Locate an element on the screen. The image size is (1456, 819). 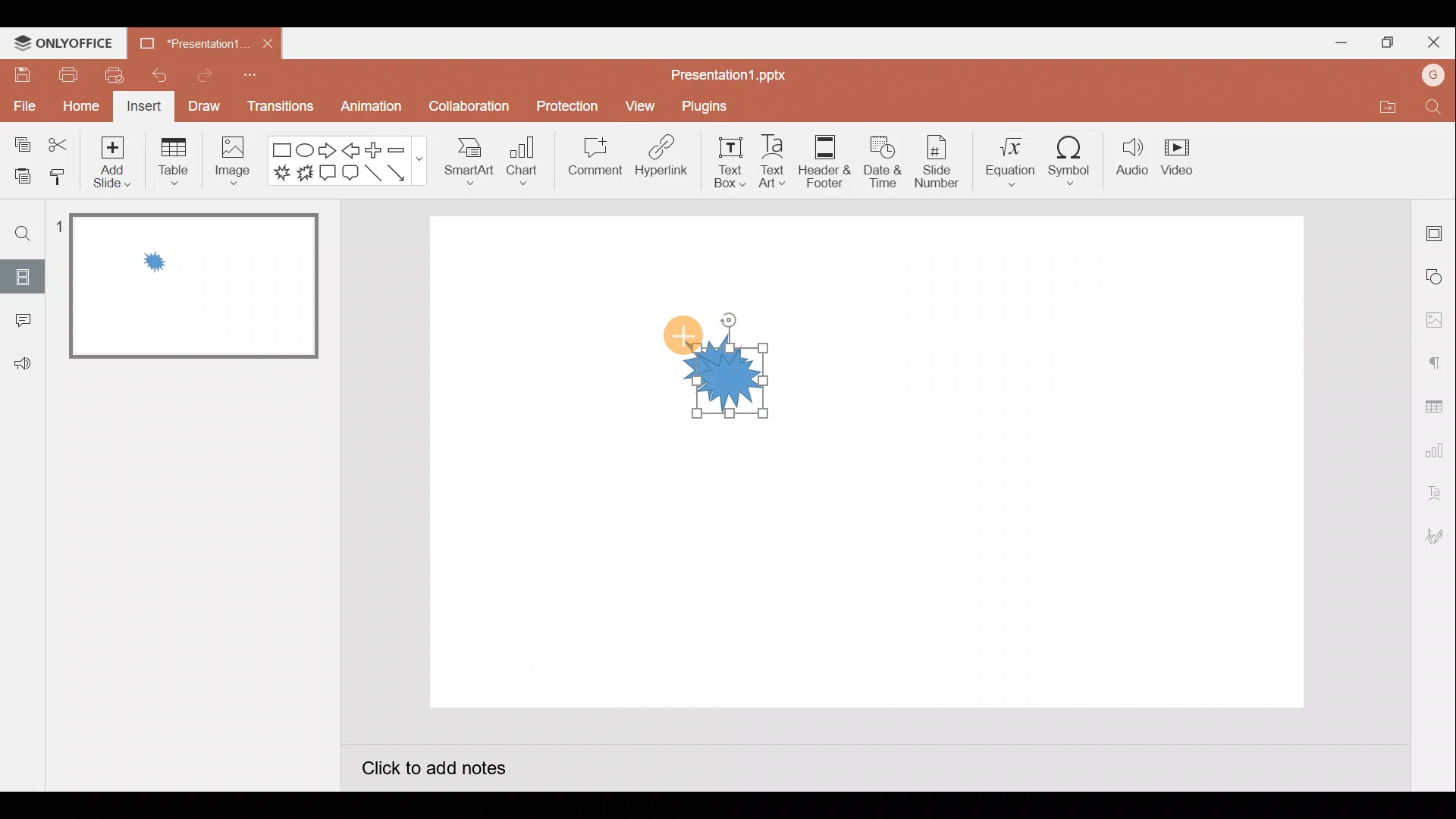
Save is located at coordinates (22, 77).